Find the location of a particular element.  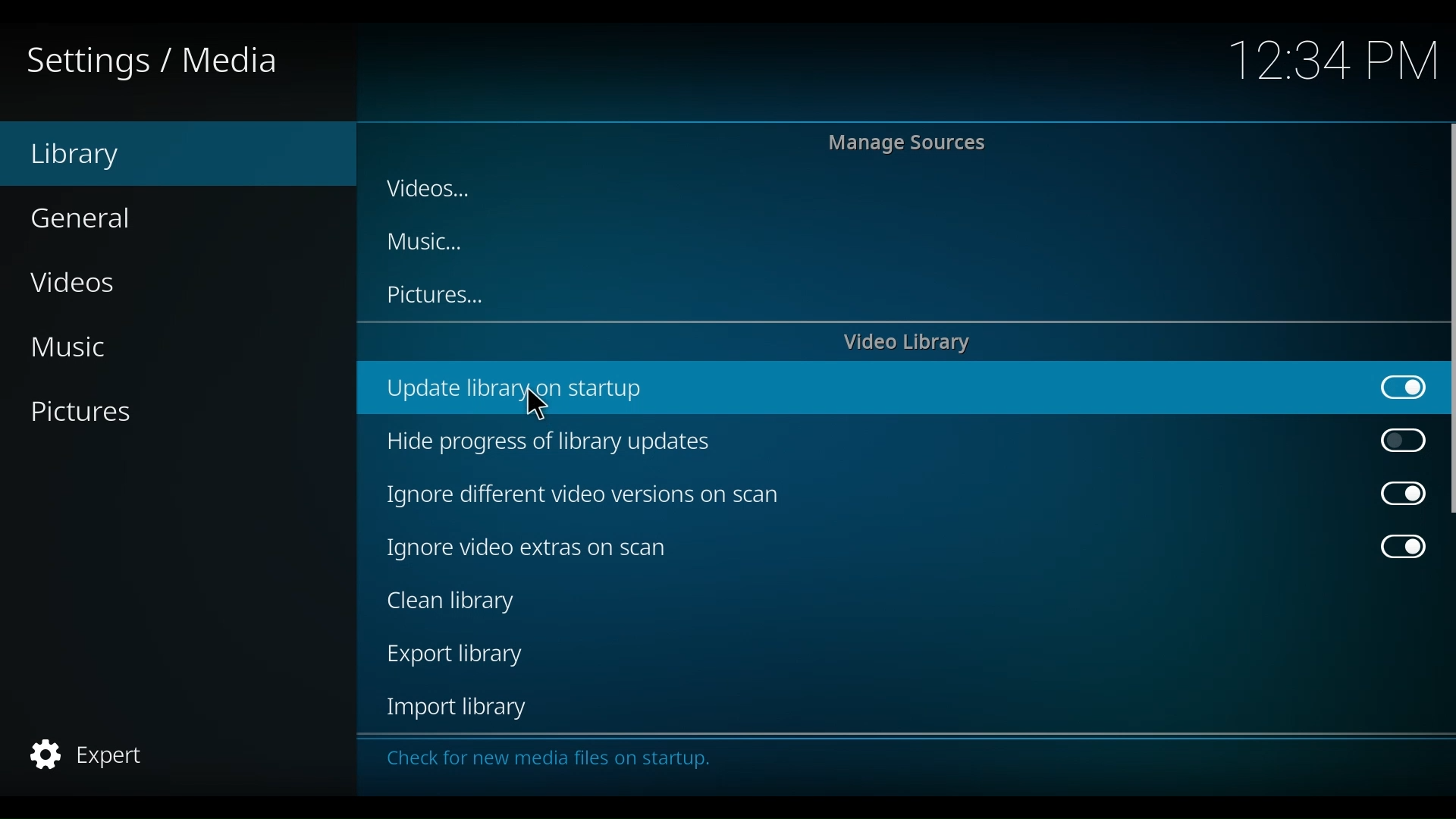

Toggle on/off Ignore video extras on scan is located at coordinates (1399, 548).